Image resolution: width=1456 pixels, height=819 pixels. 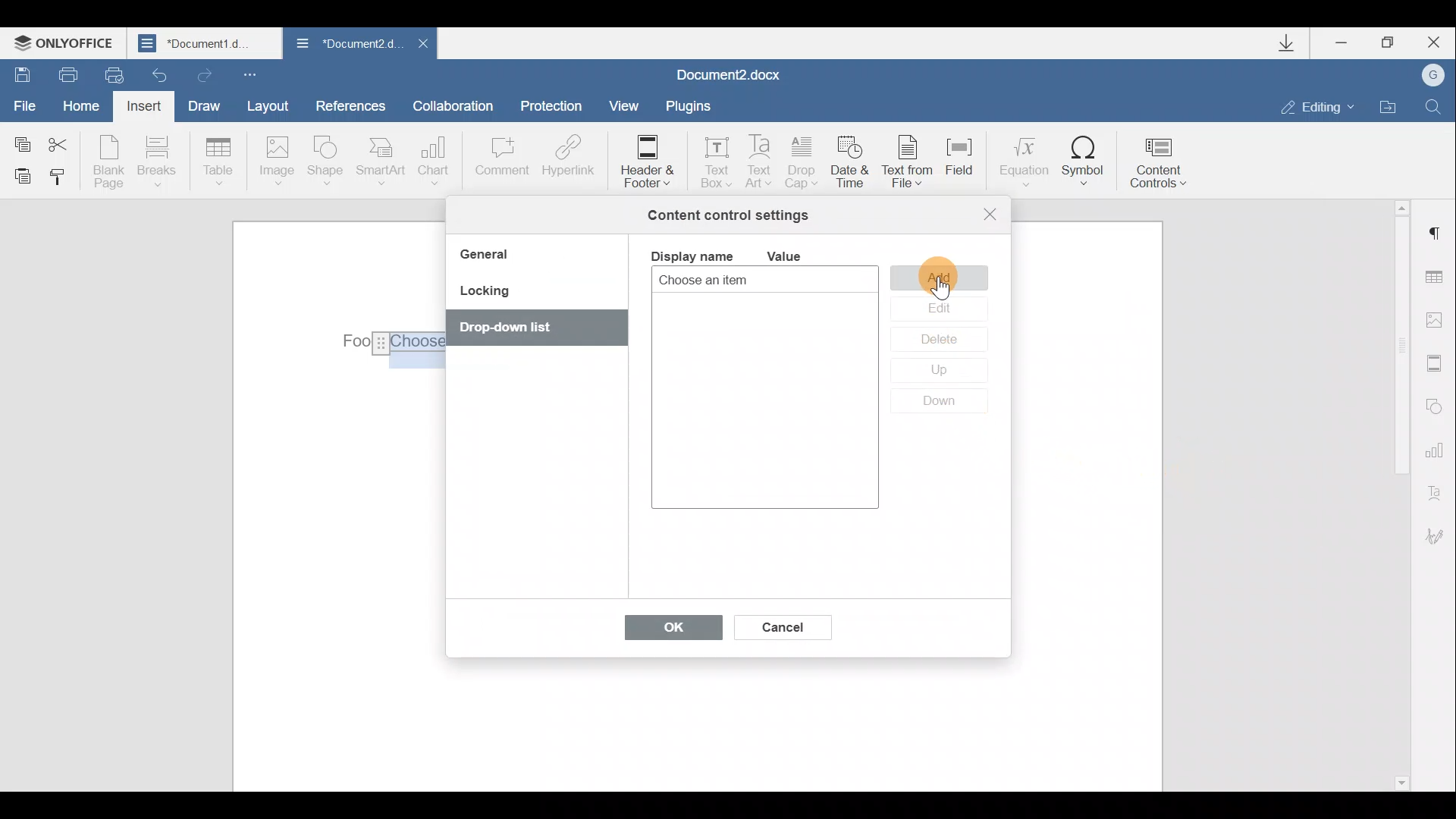 What do you see at coordinates (1434, 106) in the screenshot?
I see `Find` at bounding box center [1434, 106].